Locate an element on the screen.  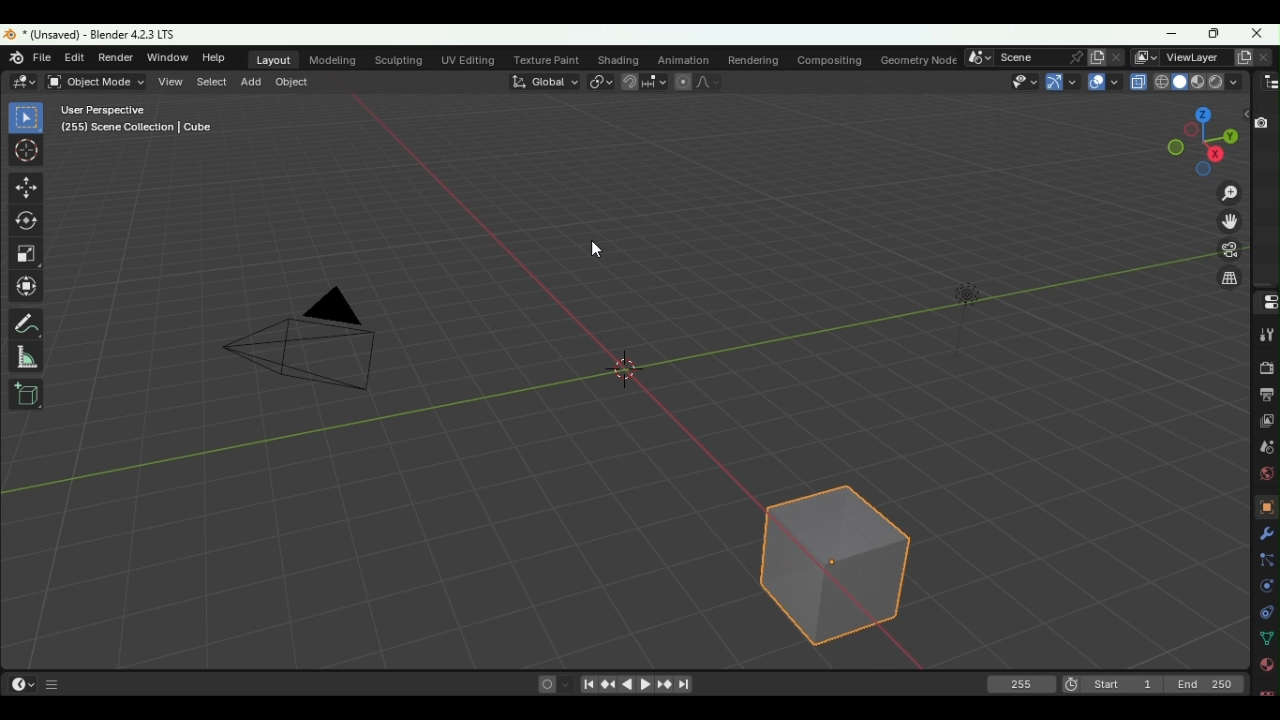
pointer cursor is located at coordinates (592, 252).